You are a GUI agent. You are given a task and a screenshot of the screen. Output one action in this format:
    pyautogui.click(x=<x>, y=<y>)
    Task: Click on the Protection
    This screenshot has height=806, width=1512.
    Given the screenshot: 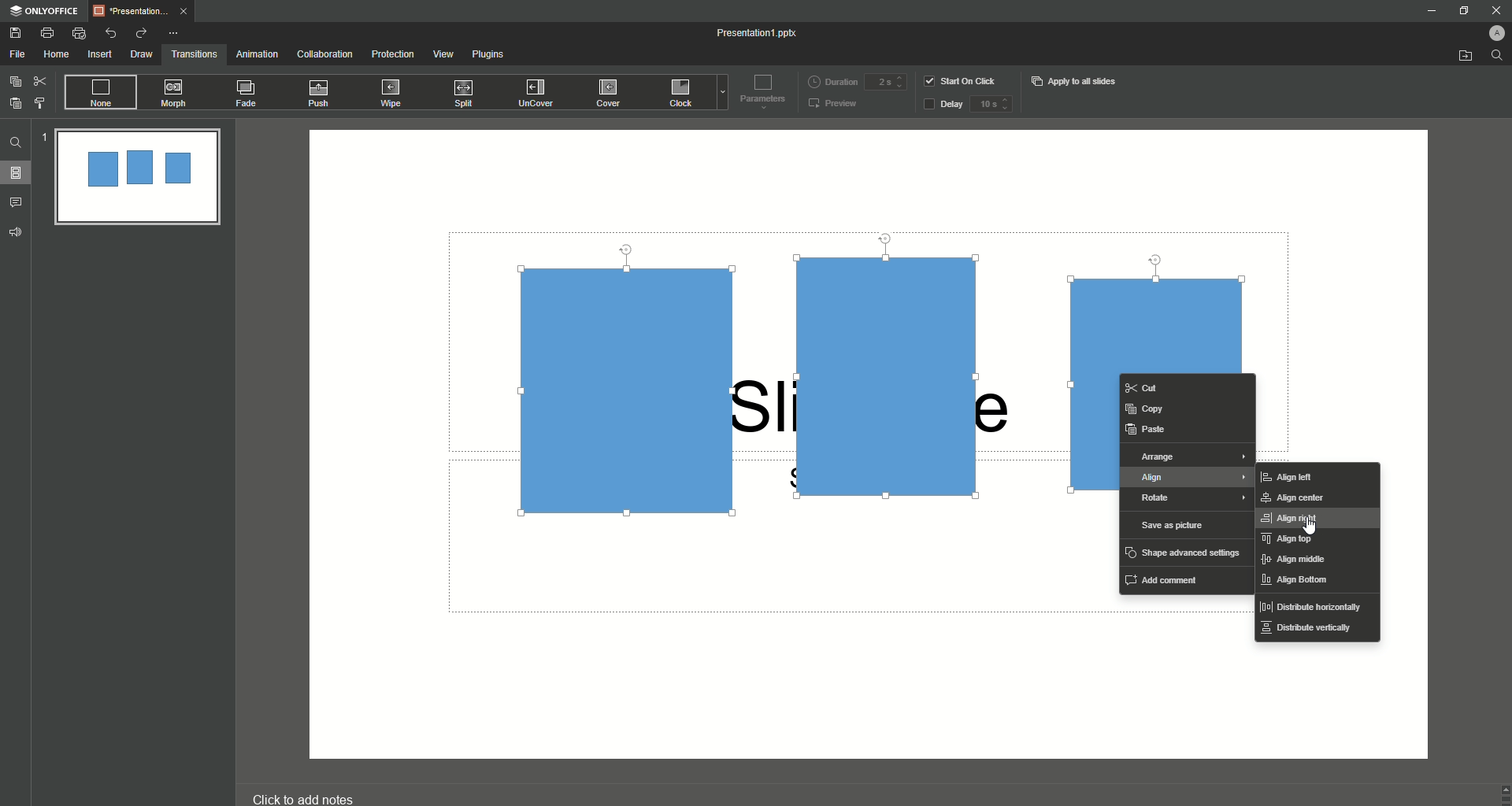 What is the action you would take?
    pyautogui.click(x=394, y=54)
    